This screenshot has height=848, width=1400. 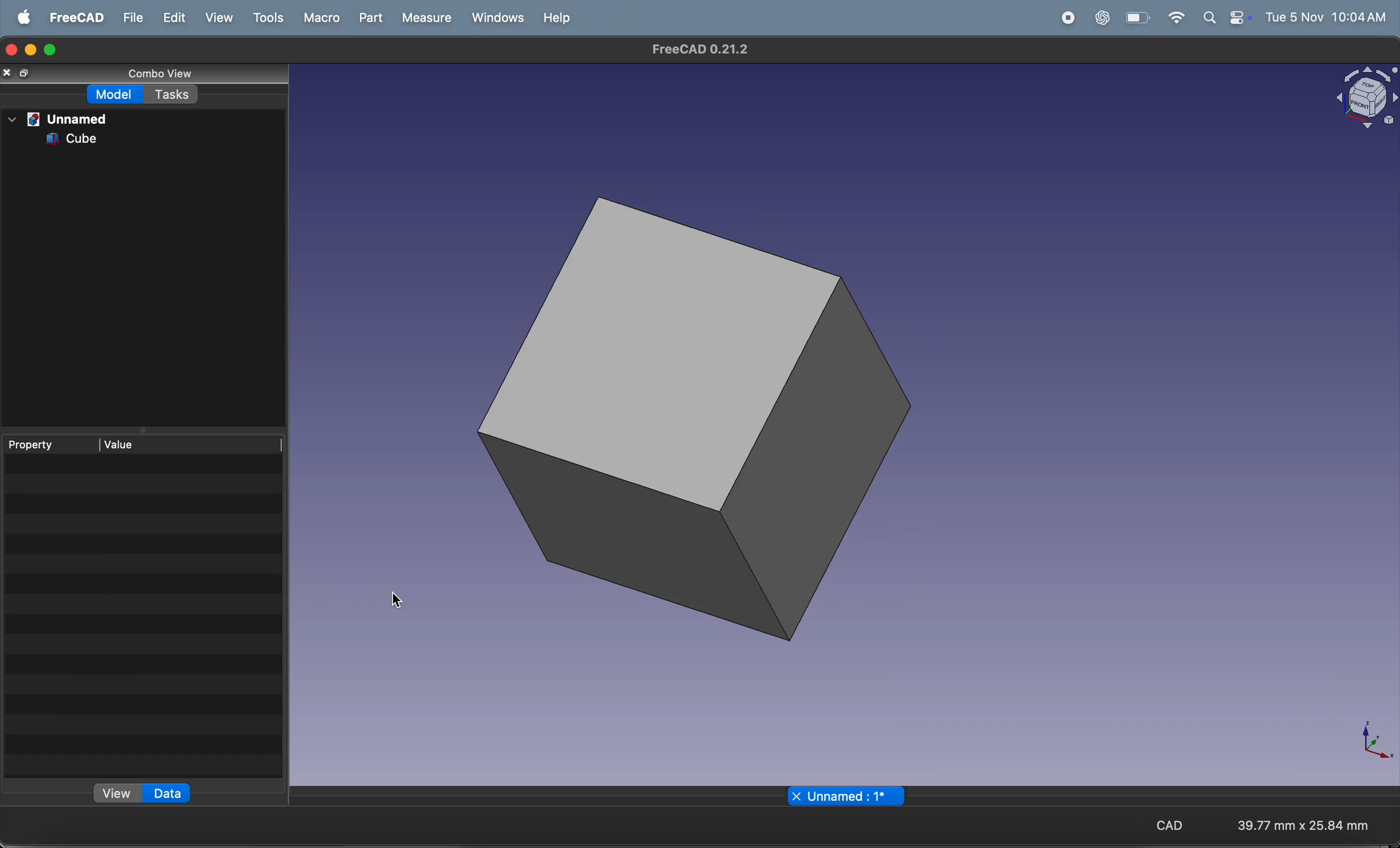 What do you see at coordinates (169, 793) in the screenshot?
I see `data` at bounding box center [169, 793].